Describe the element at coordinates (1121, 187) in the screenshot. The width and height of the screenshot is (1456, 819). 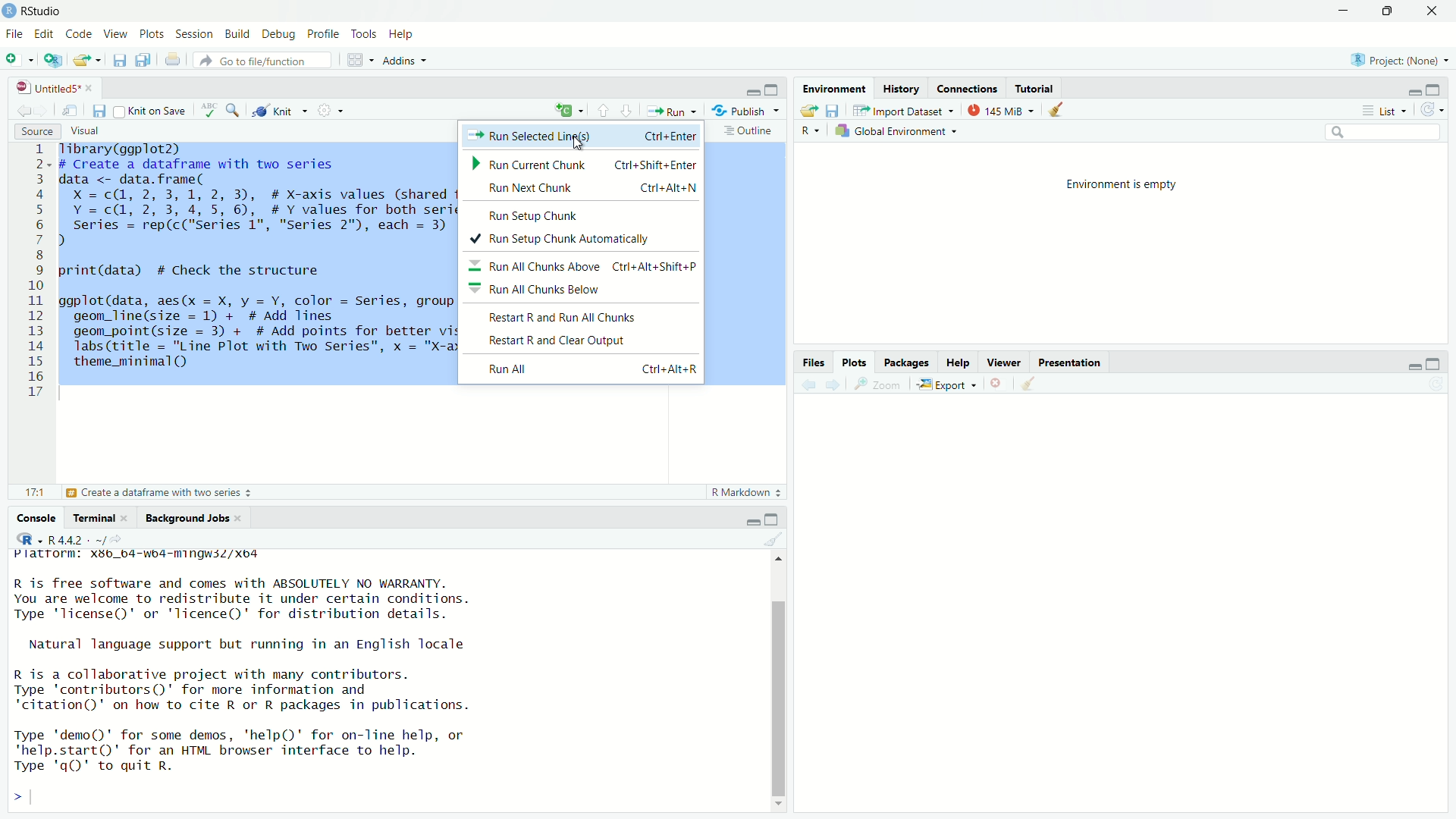
I see `Enviornment is empty` at that location.